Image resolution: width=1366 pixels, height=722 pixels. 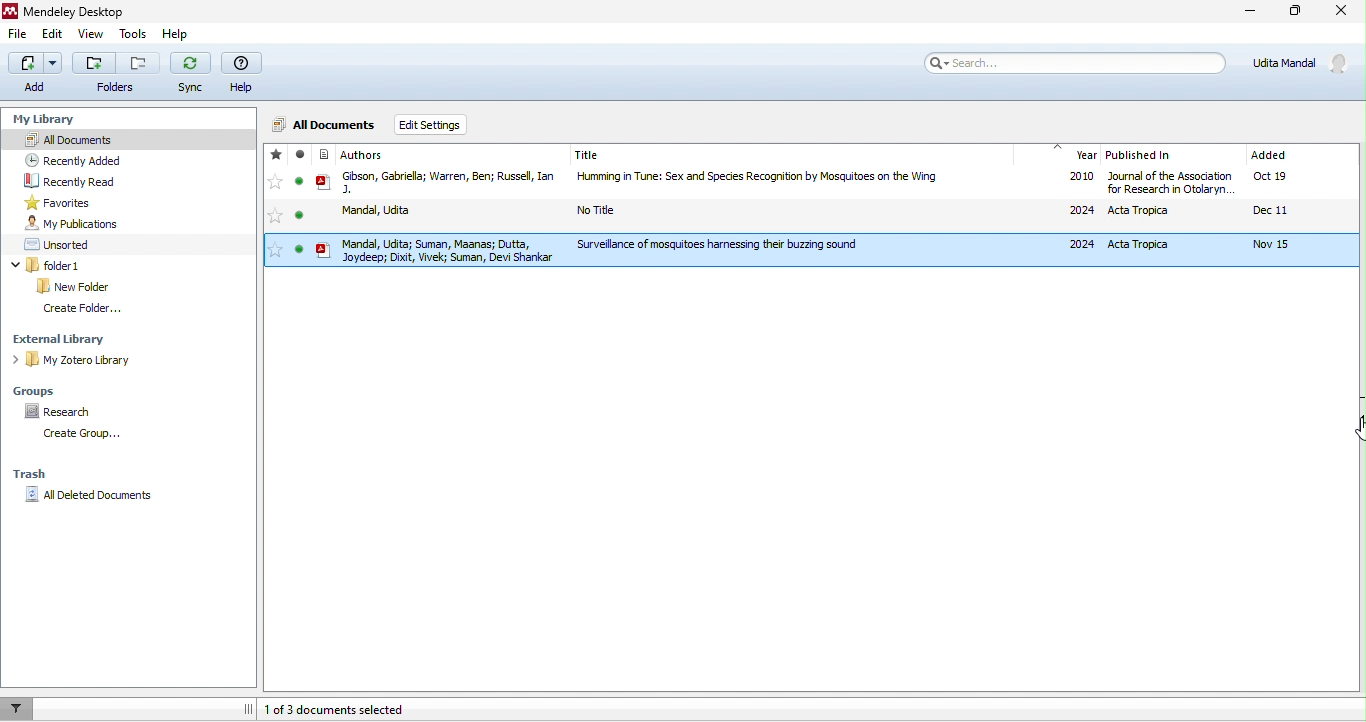 I want to click on search bar , so click(x=1068, y=63).